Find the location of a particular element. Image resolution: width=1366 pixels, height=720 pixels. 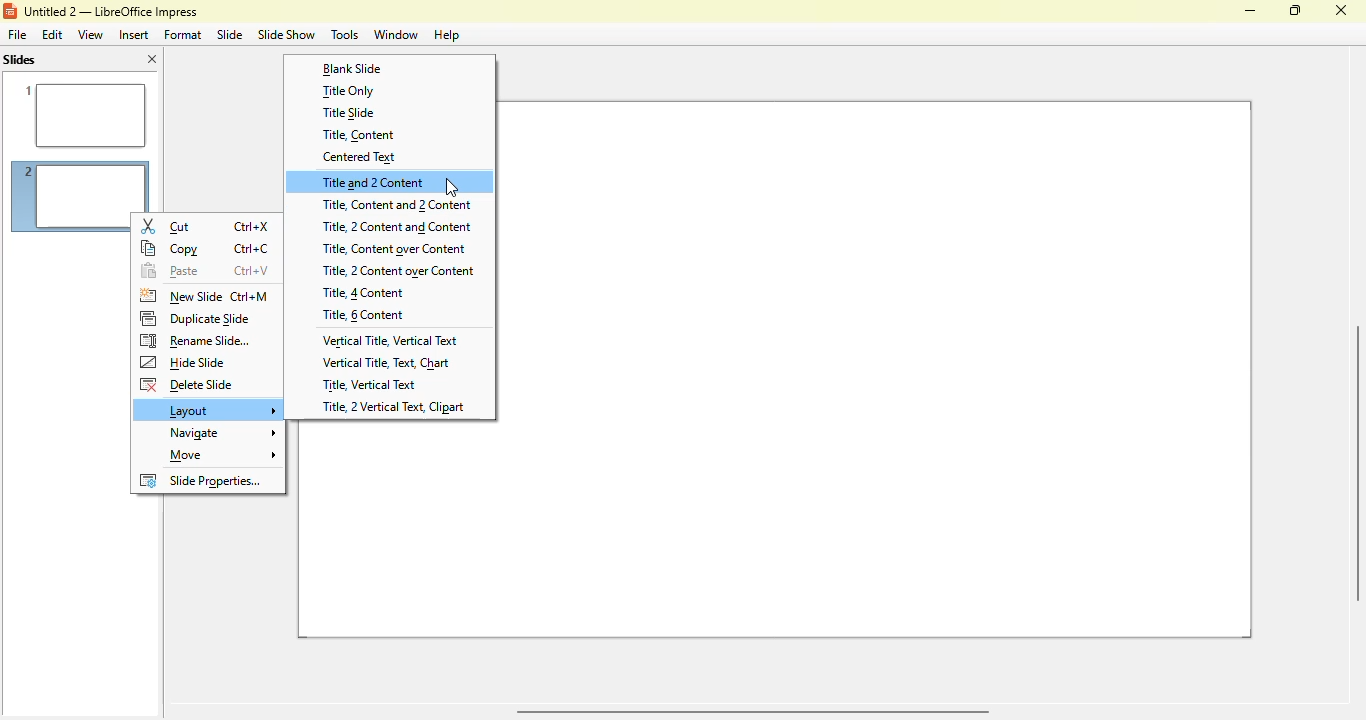

shortcut for paste is located at coordinates (251, 272).